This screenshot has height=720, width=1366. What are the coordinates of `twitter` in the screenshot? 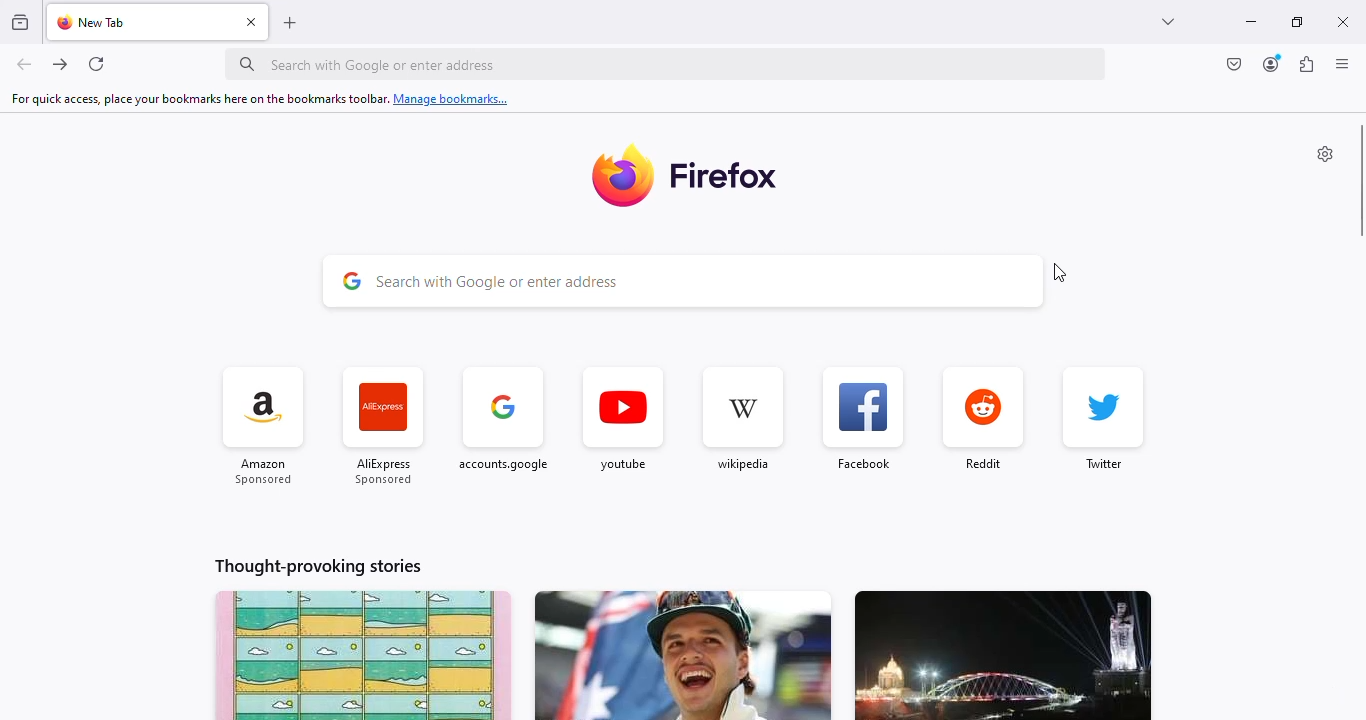 It's located at (1103, 423).